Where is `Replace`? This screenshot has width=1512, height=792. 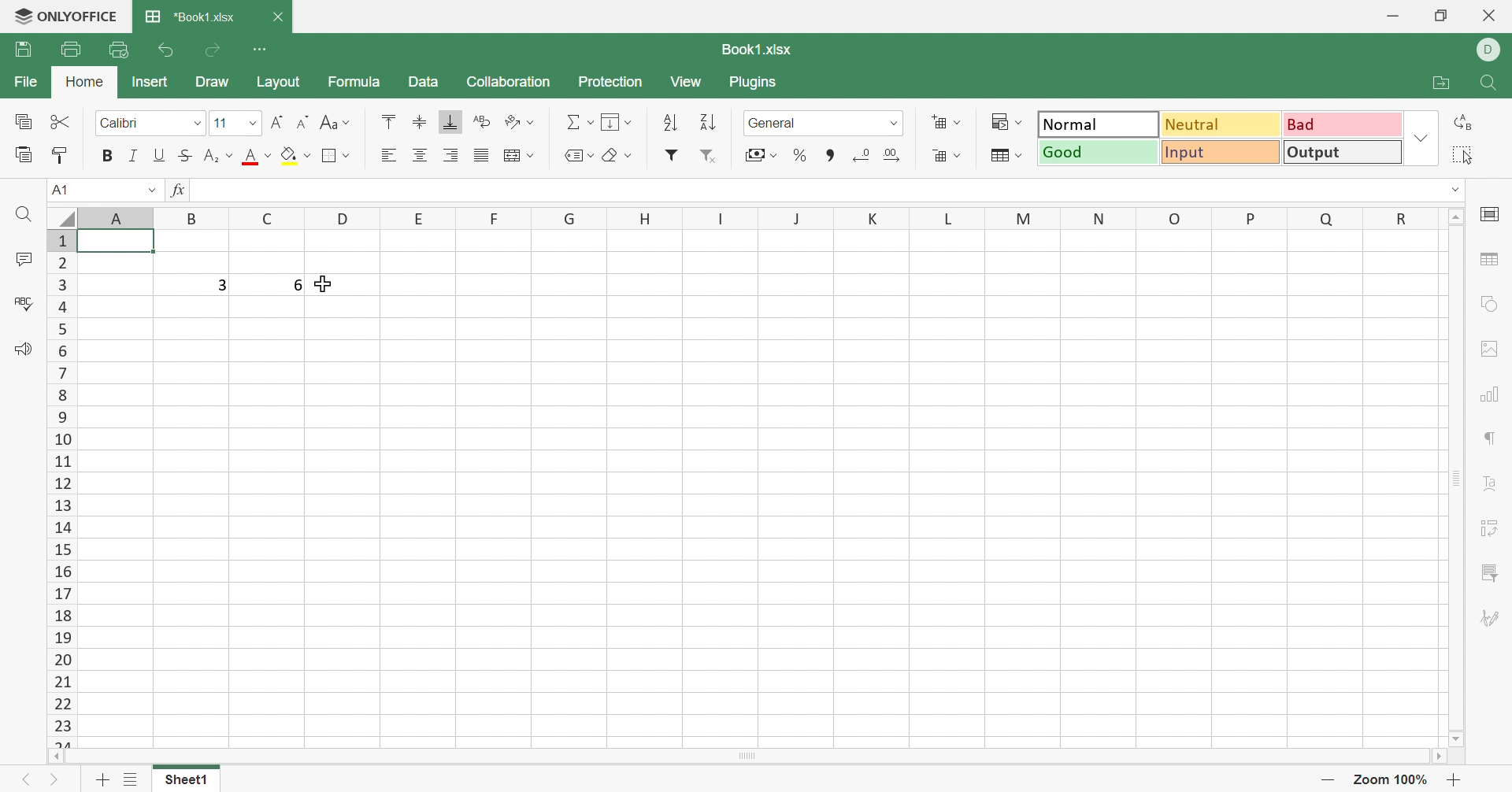
Replace is located at coordinates (1465, 120).